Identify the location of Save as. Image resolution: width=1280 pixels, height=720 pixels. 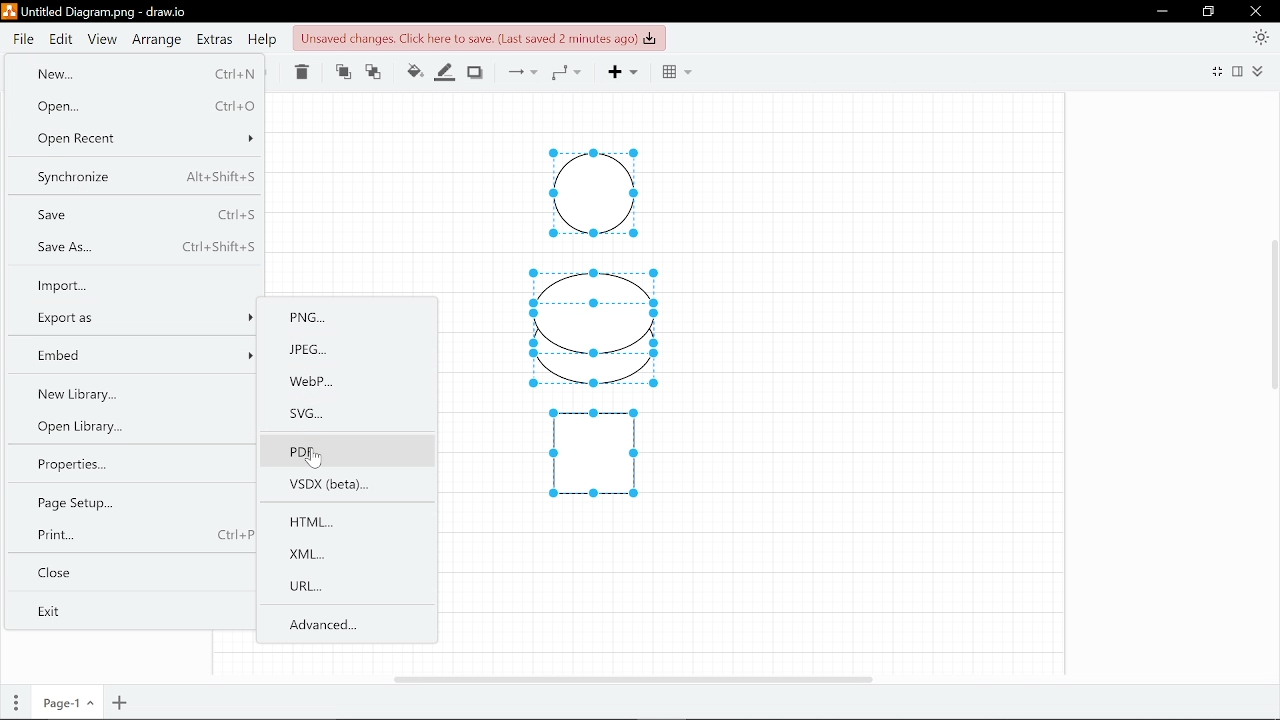
(142, 246).